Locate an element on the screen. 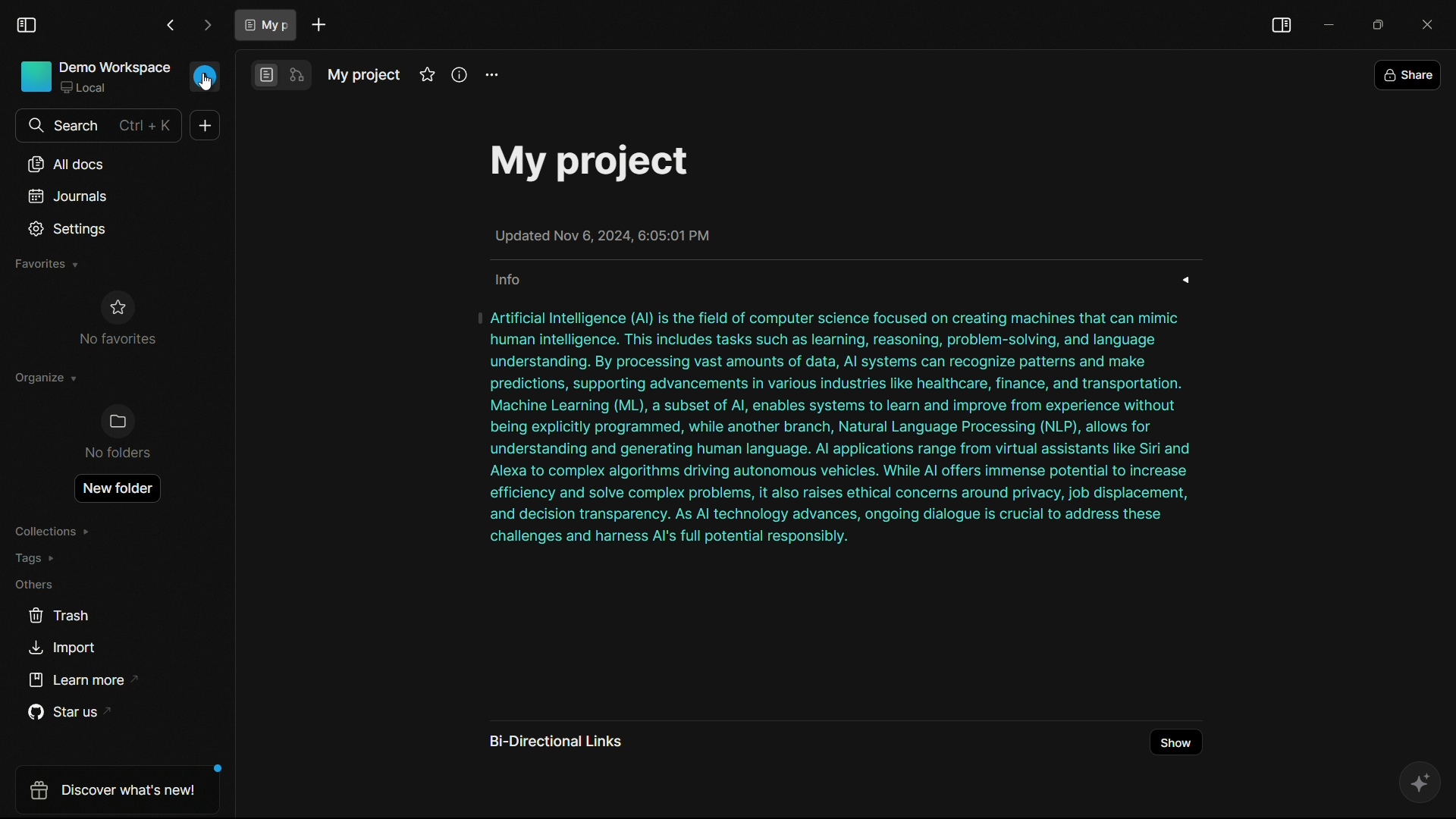 This screenshot has width=1456, height=819. show is located at coordinates (1178, 742).